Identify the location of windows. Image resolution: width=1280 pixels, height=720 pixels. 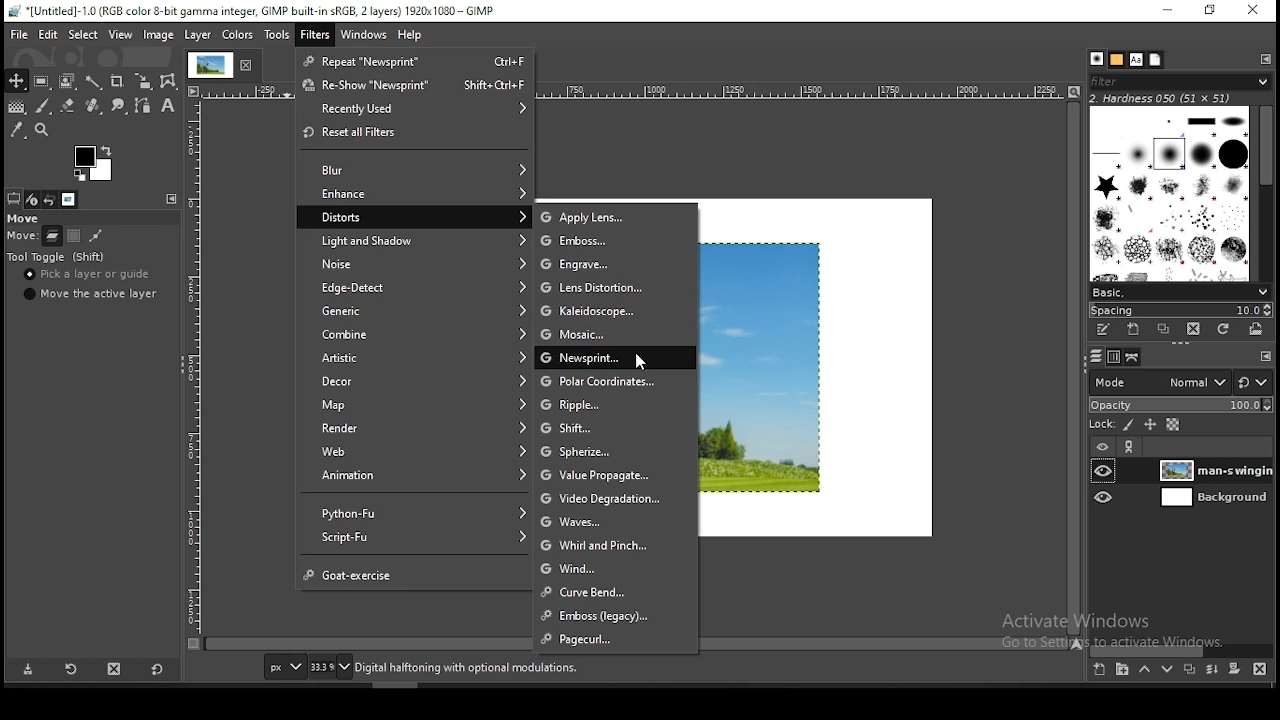
(364, 35).